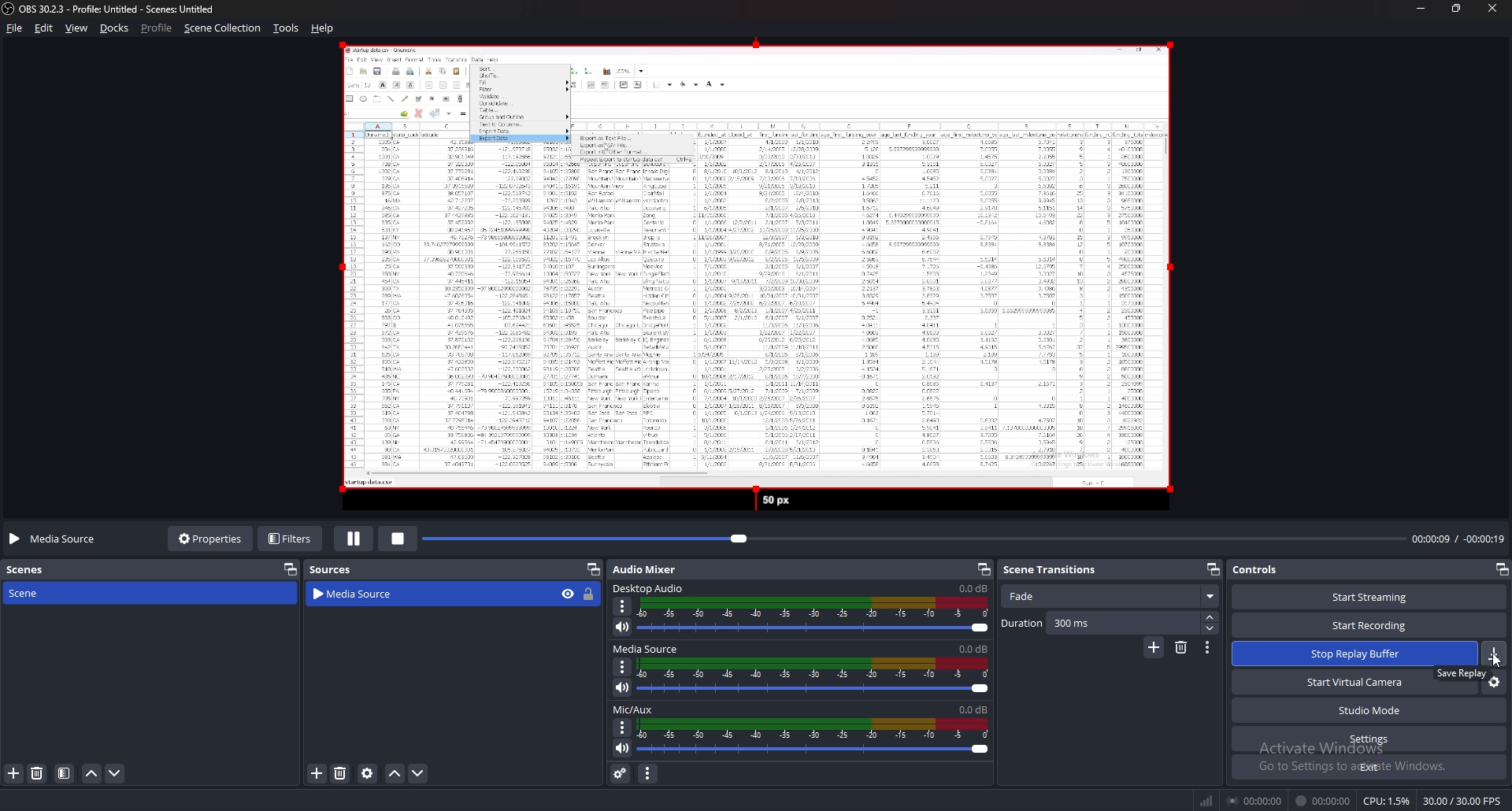 This screenshot has height=811, width=1512. I want to click on controls, so click(1260, 569).